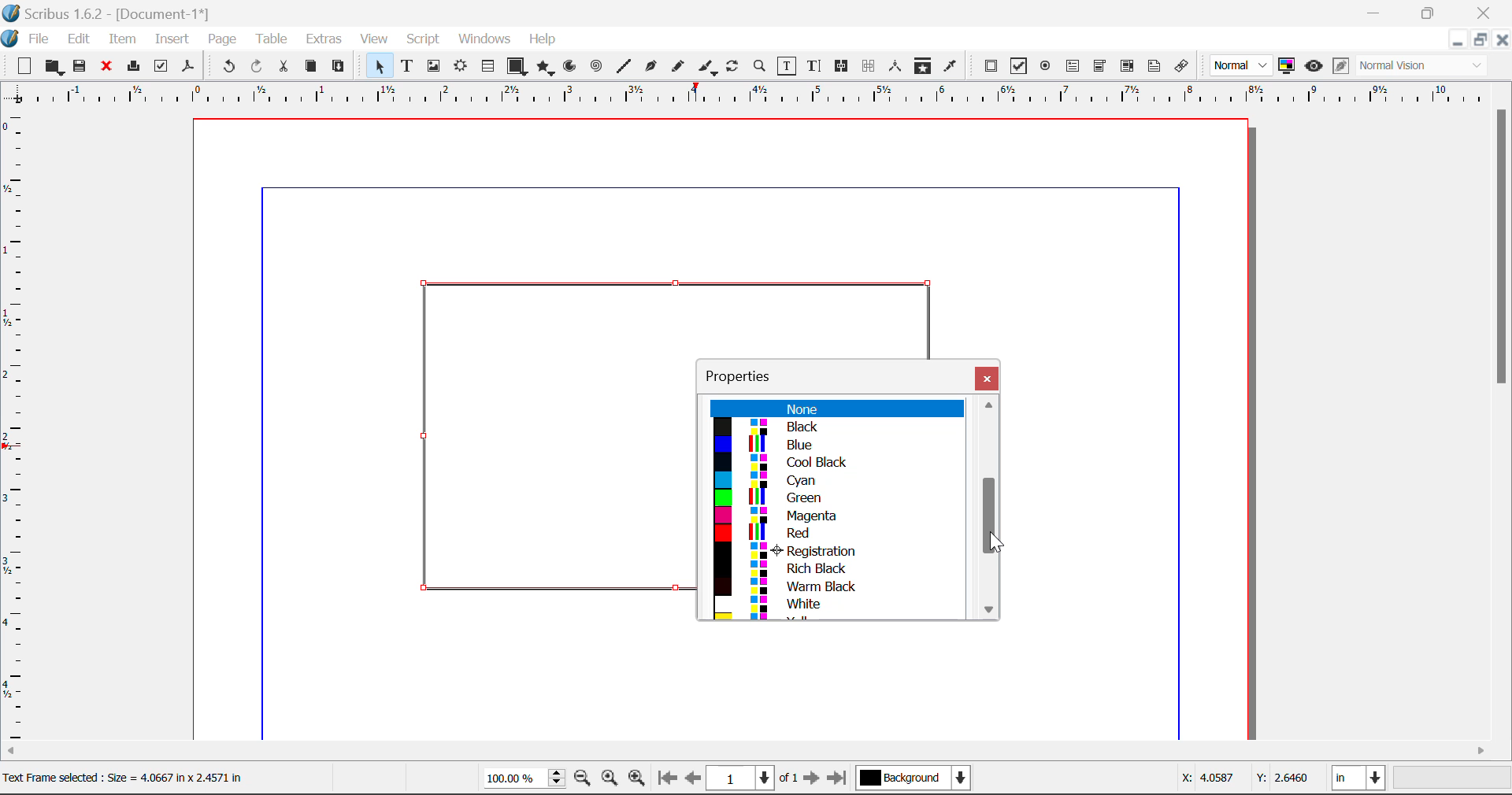 The image size is (1512, 795). What do you see at coordinates (226, 67) in the screenshot?
I see `Undo` at bounding box center [226, 67].